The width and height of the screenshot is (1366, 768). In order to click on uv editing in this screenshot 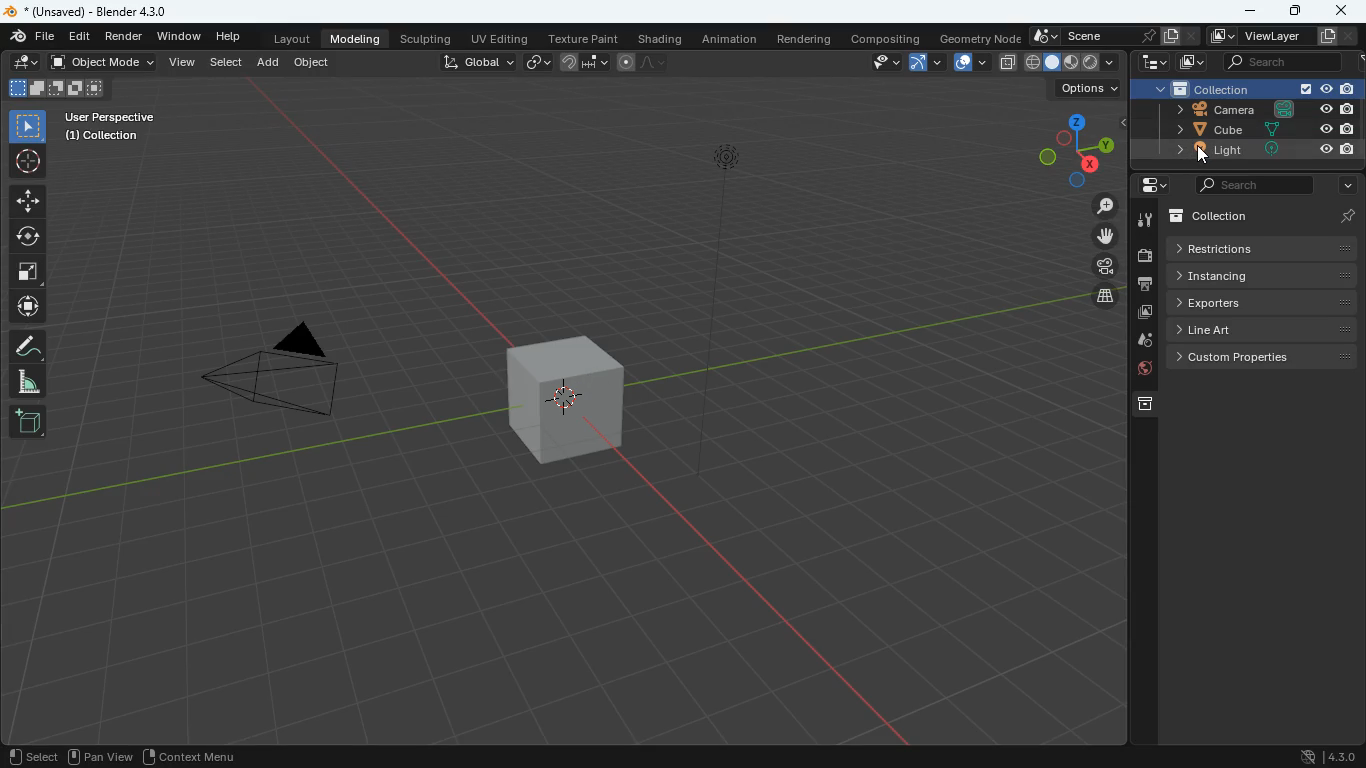, I will do `click(502, 38)`.